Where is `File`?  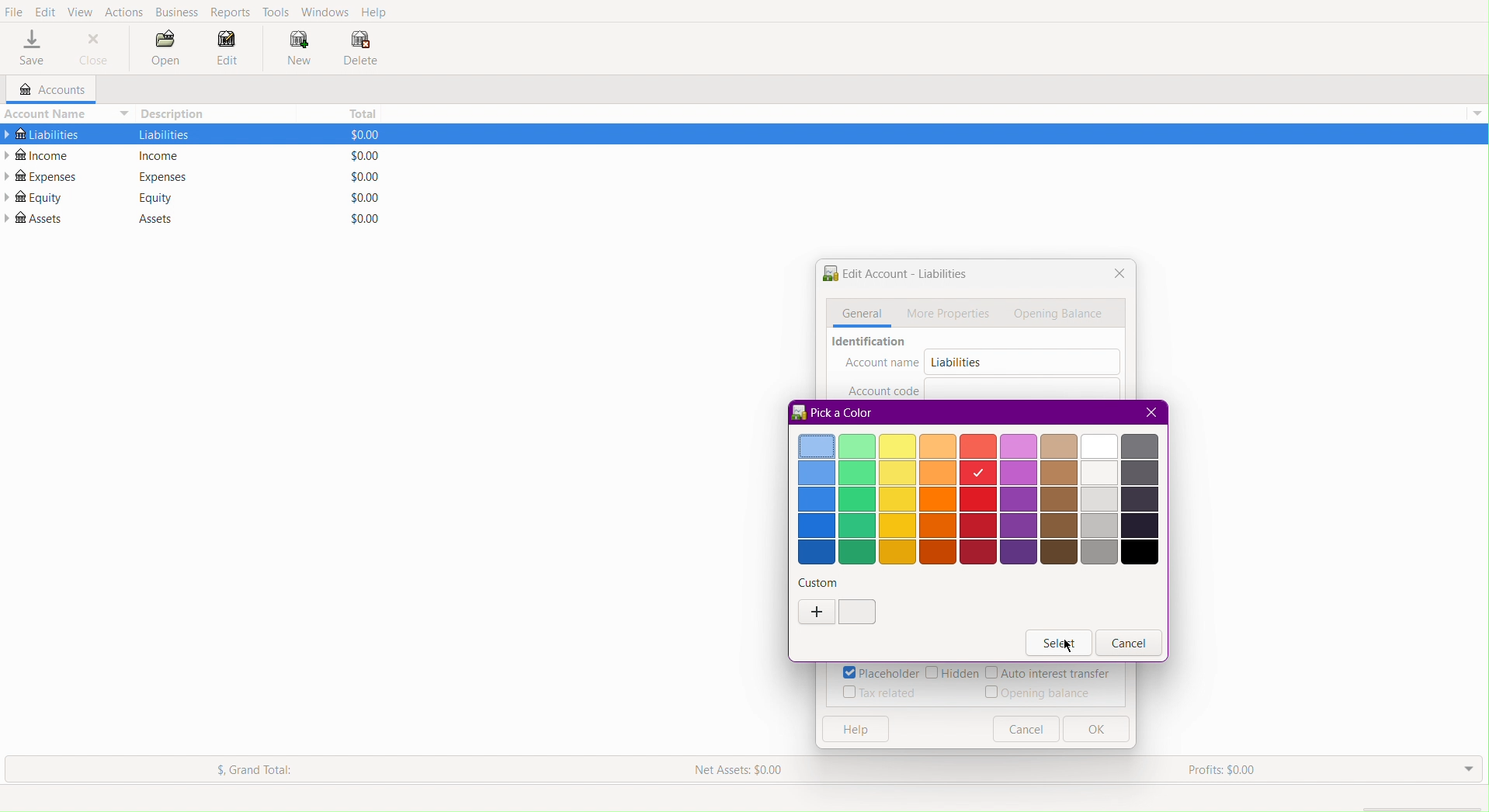
File is located at coordinates (14, 12).